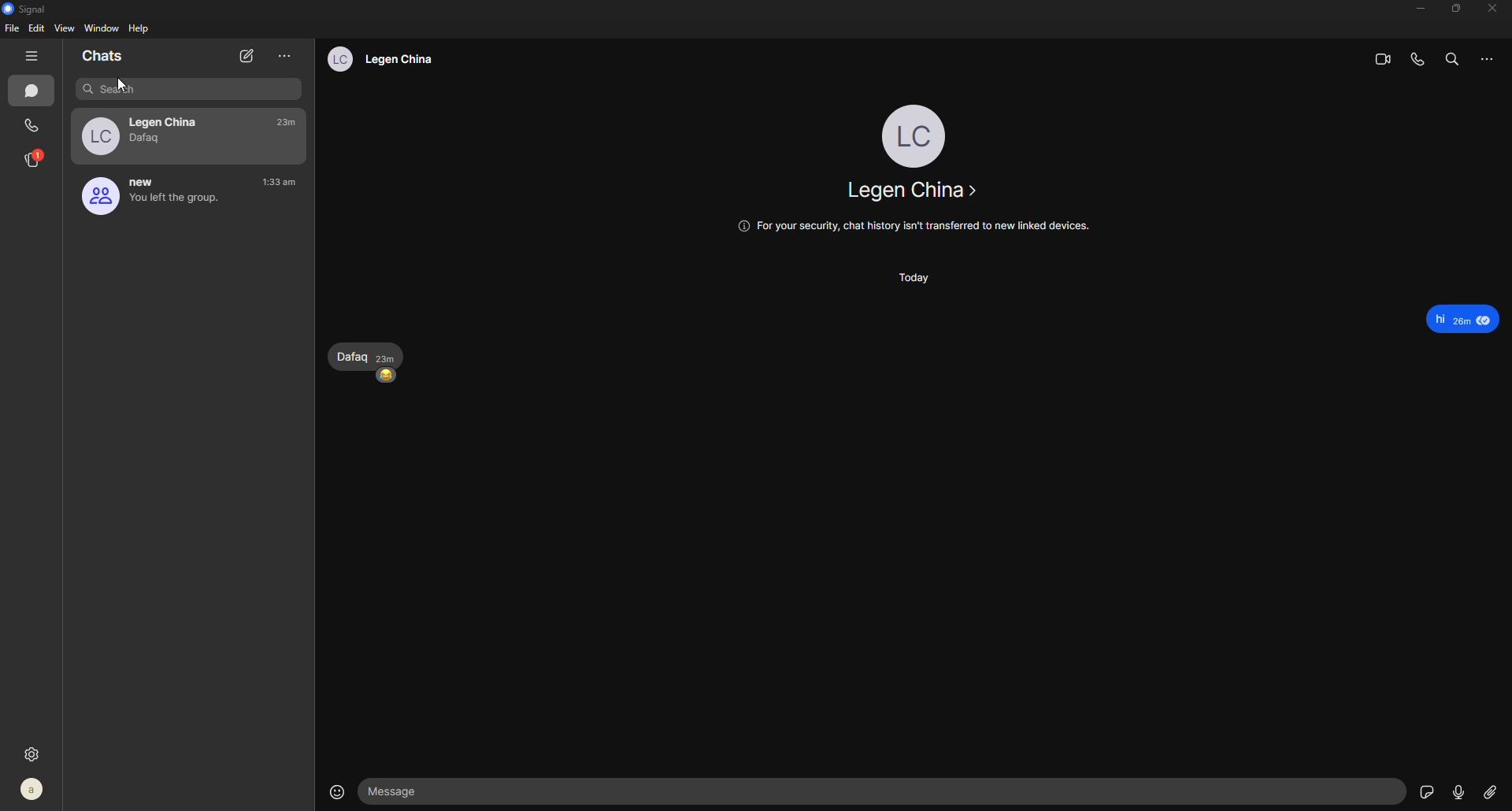  Describe the element at coordinates (1463, 317) in the screenshot. I see `Hi 20m` at that location.